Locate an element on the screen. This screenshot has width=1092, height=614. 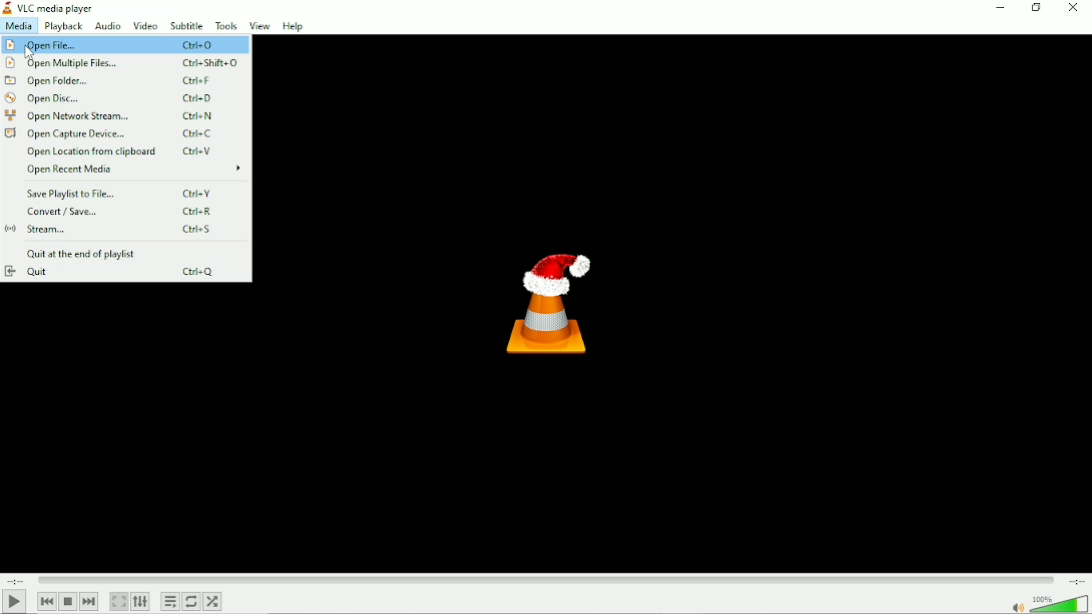
Previous is located at coordinates (43, 602).